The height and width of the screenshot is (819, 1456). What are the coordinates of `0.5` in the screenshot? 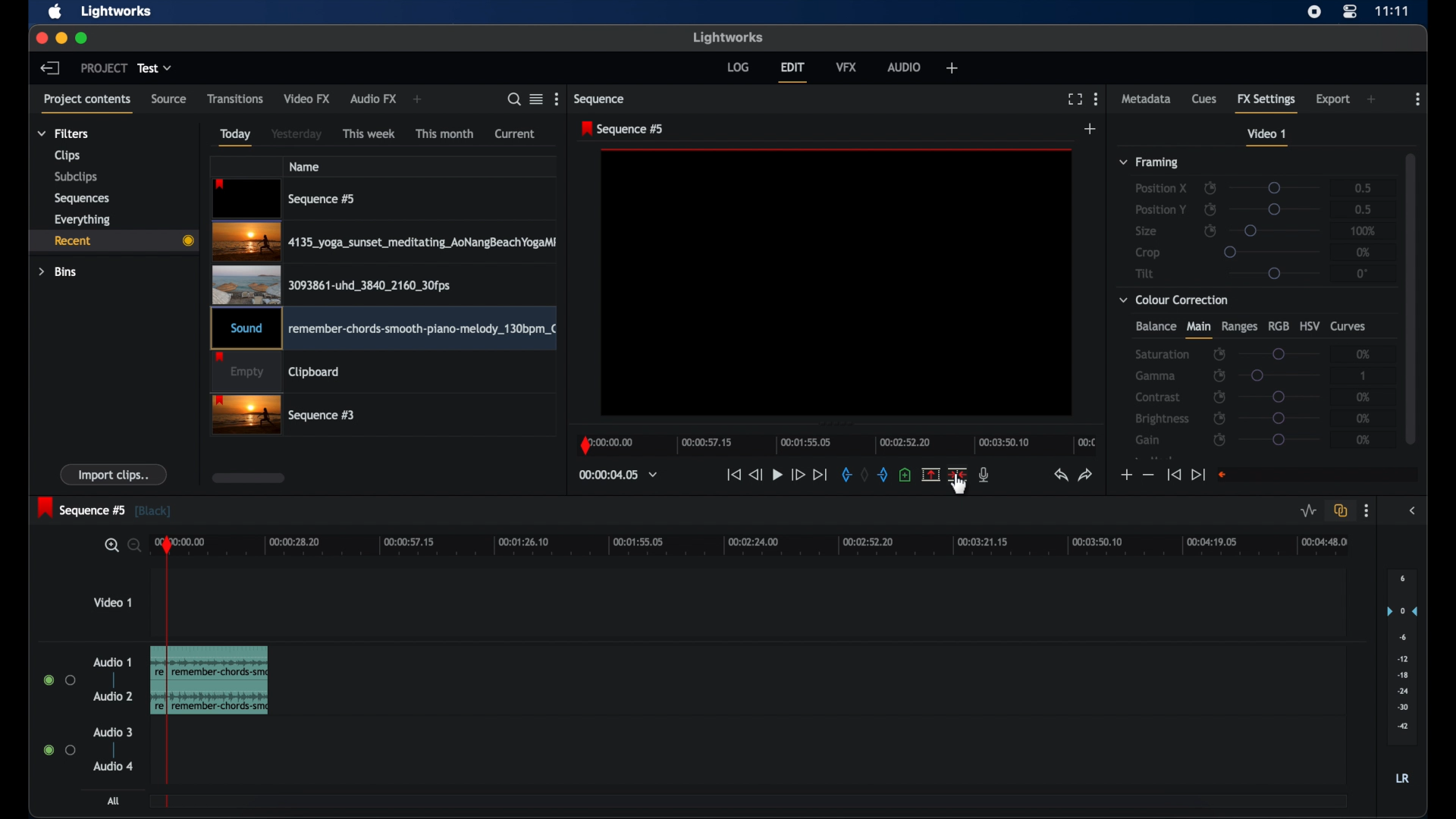 It's located at (1363, 209).